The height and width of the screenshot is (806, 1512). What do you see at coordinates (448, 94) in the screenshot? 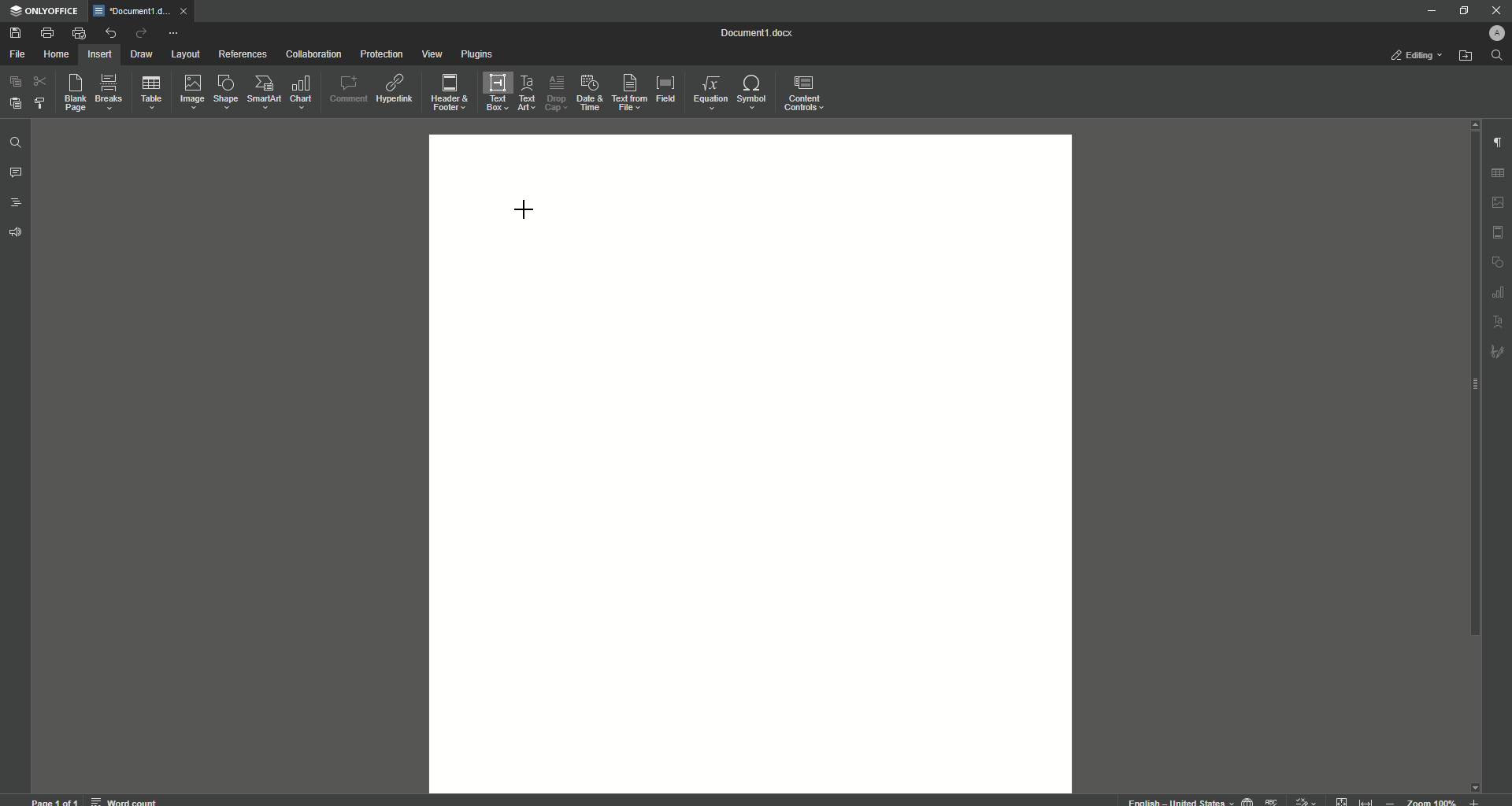
I see `Header and Footer` at bounding box center [448, 94].